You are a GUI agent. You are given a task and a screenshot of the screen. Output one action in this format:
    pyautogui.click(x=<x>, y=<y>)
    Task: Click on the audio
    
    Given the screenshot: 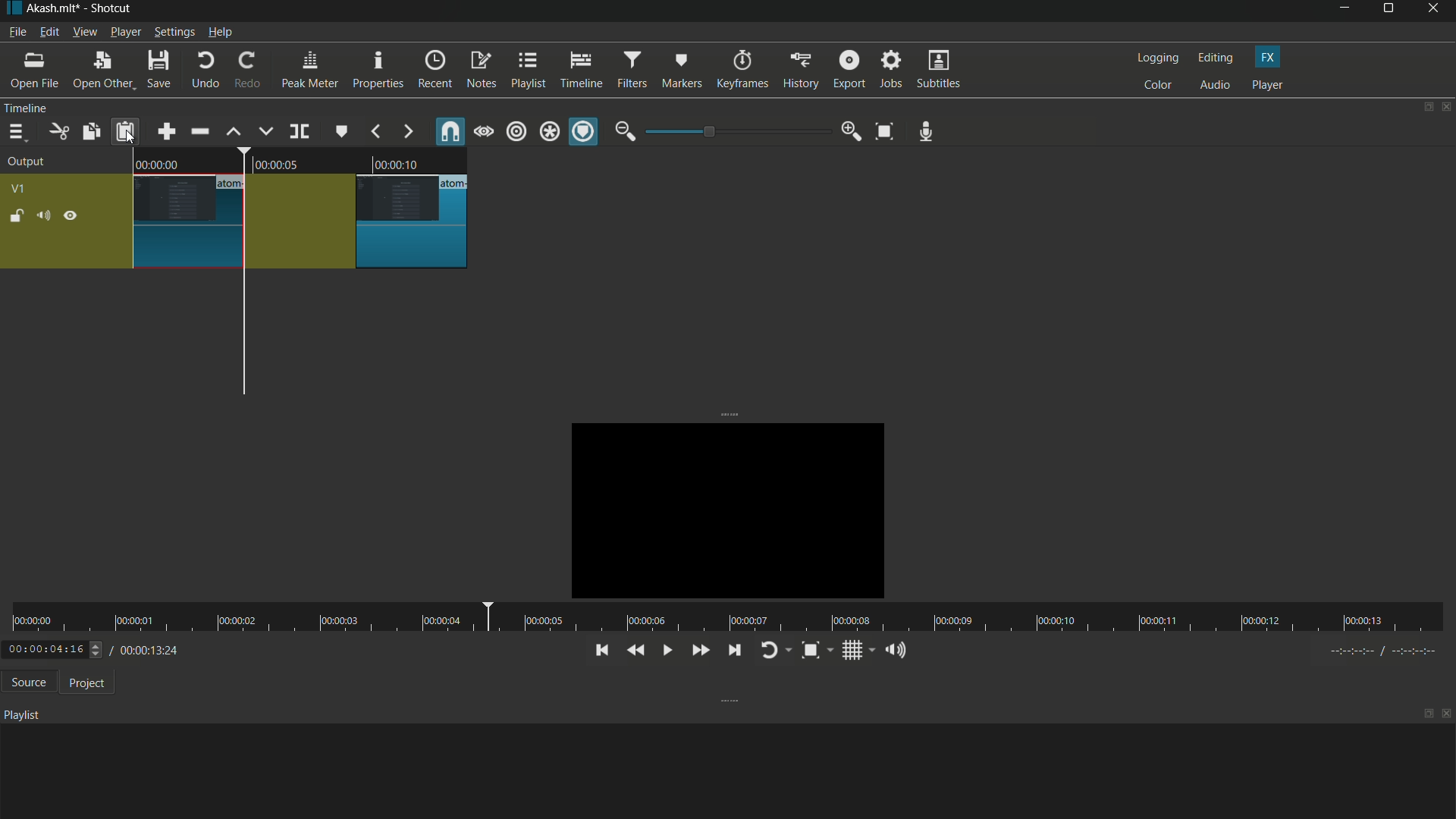 What is the action you would take?
    pyautogui.click(x=1216, y=86)
    